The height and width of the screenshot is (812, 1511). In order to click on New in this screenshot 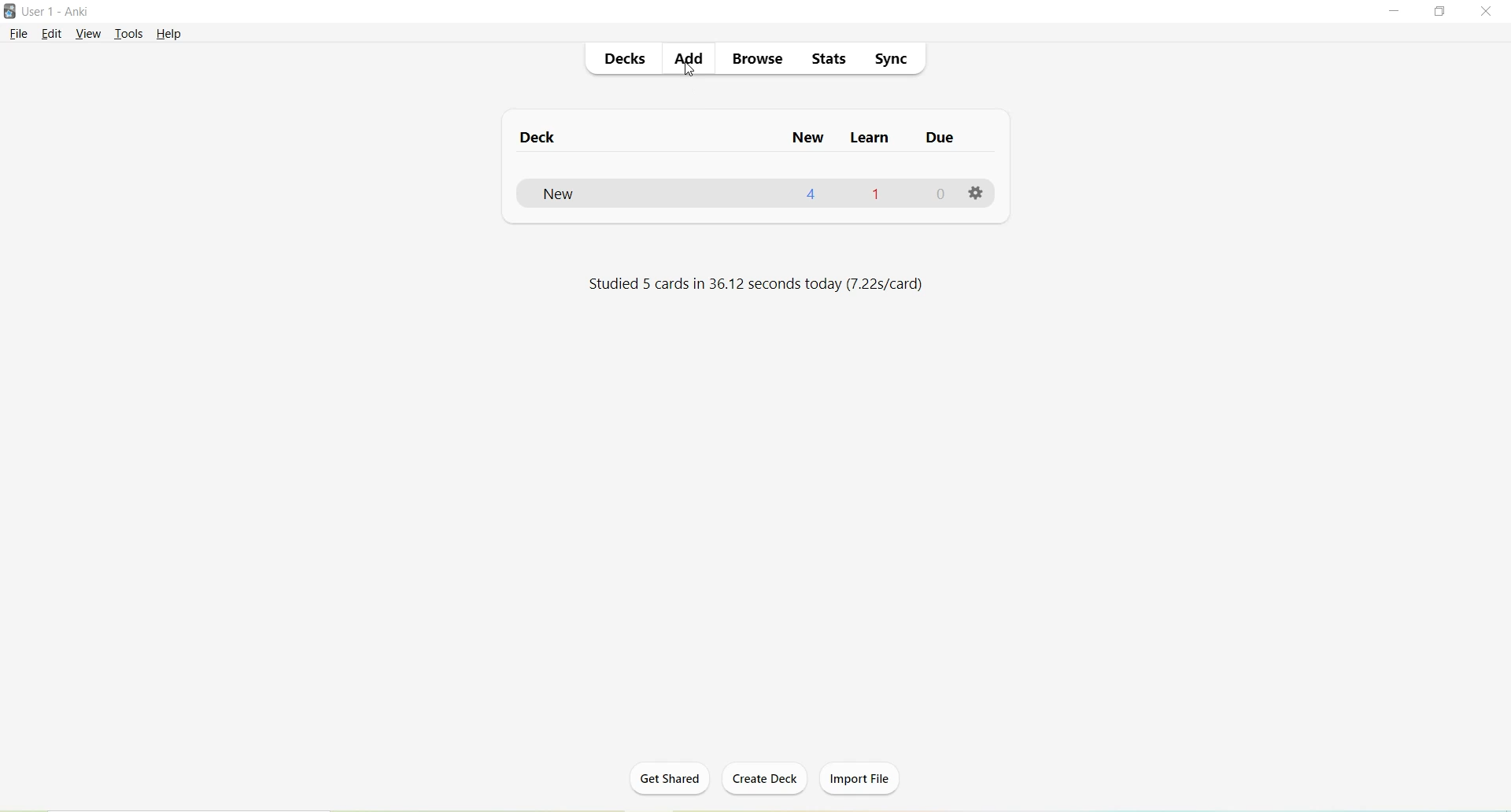, I will do `click(809, 138)`.